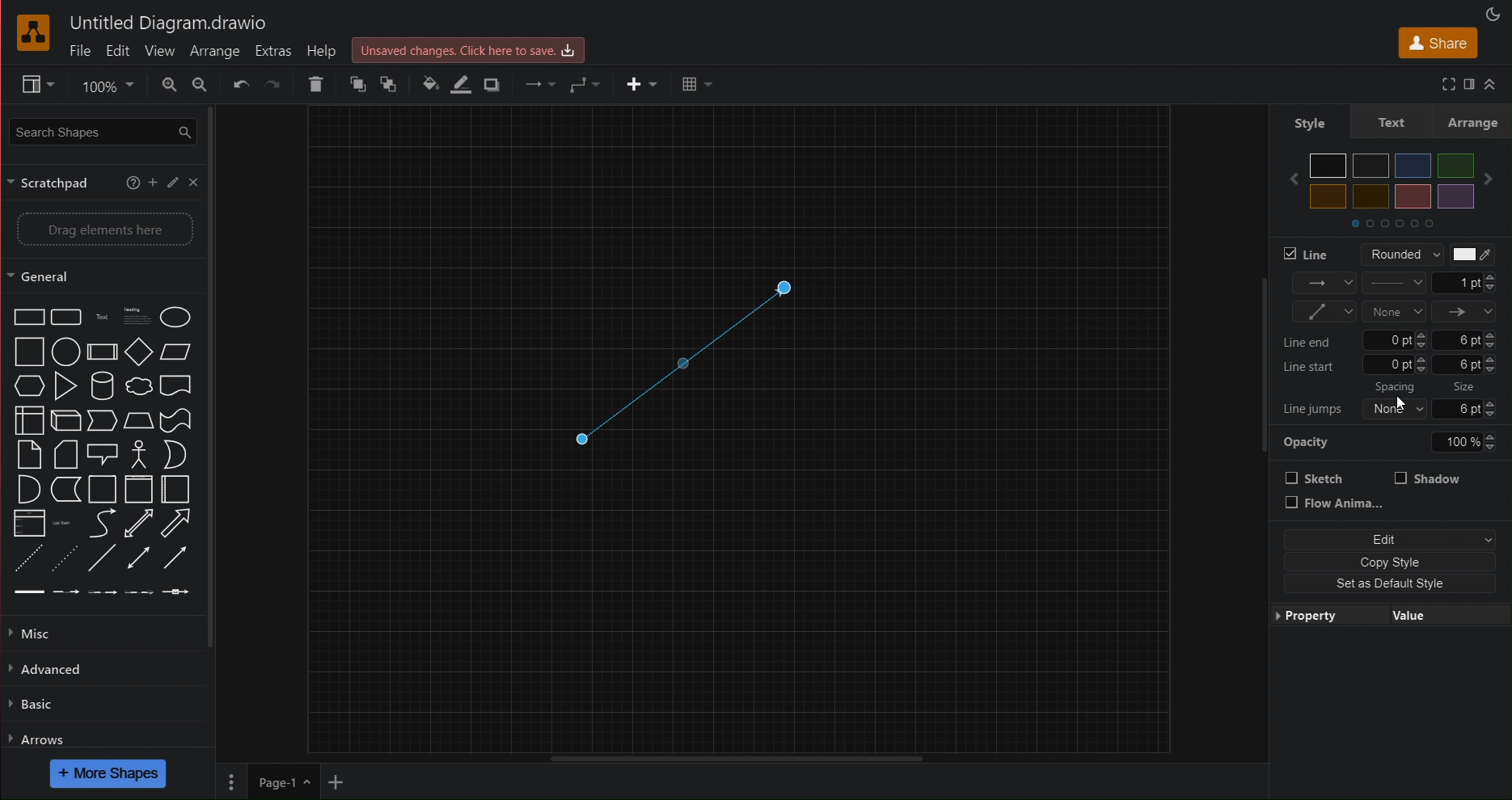 The width and height of the screenshot is (1512, 800). What do you see at coordinates (1396, 407) in the screenshot?
I see `Line jumps size` at bounding box center [1396, 407].